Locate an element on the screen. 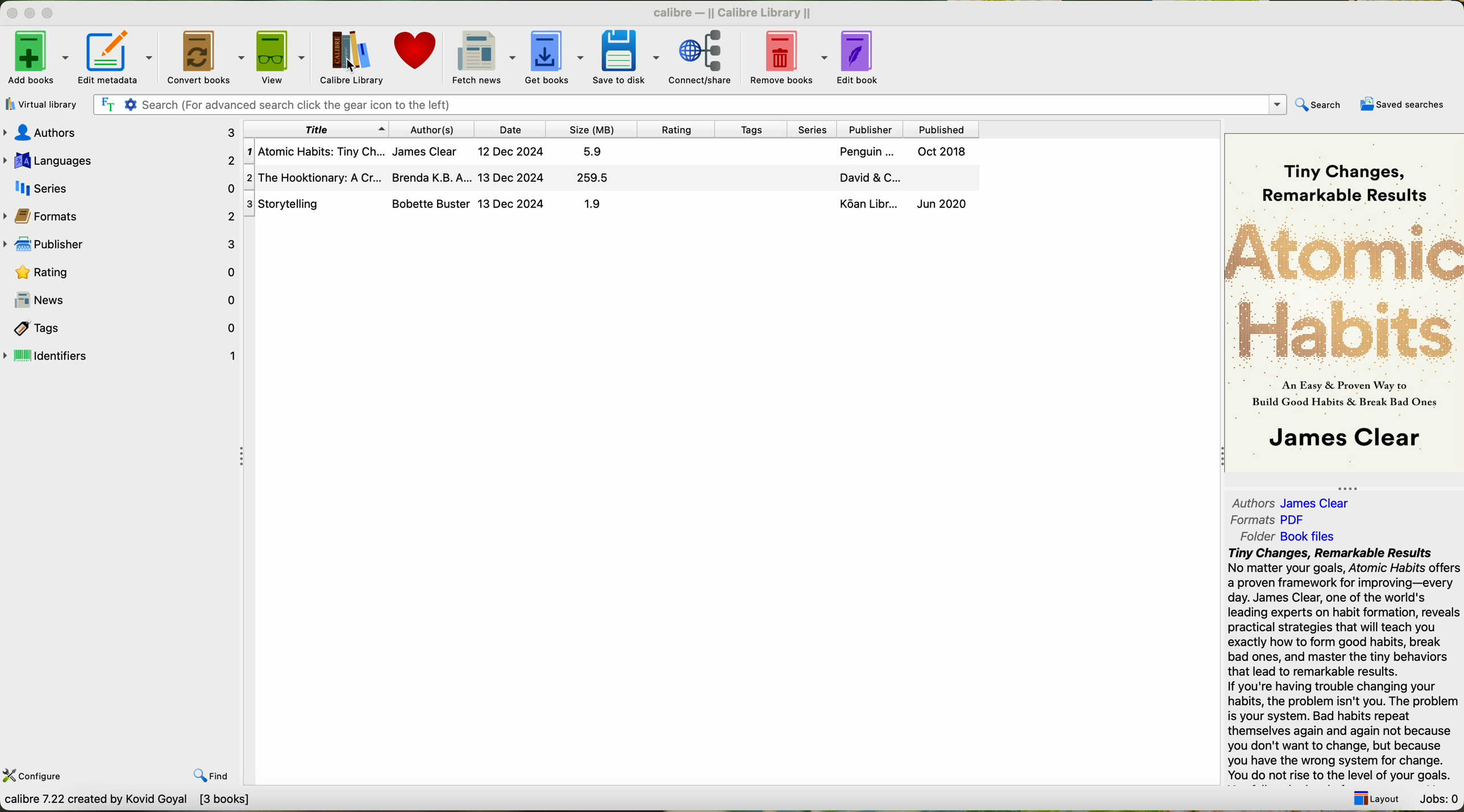 This screenshot has height=812, width=1464. fetch news is located at coordinates (481, 56).